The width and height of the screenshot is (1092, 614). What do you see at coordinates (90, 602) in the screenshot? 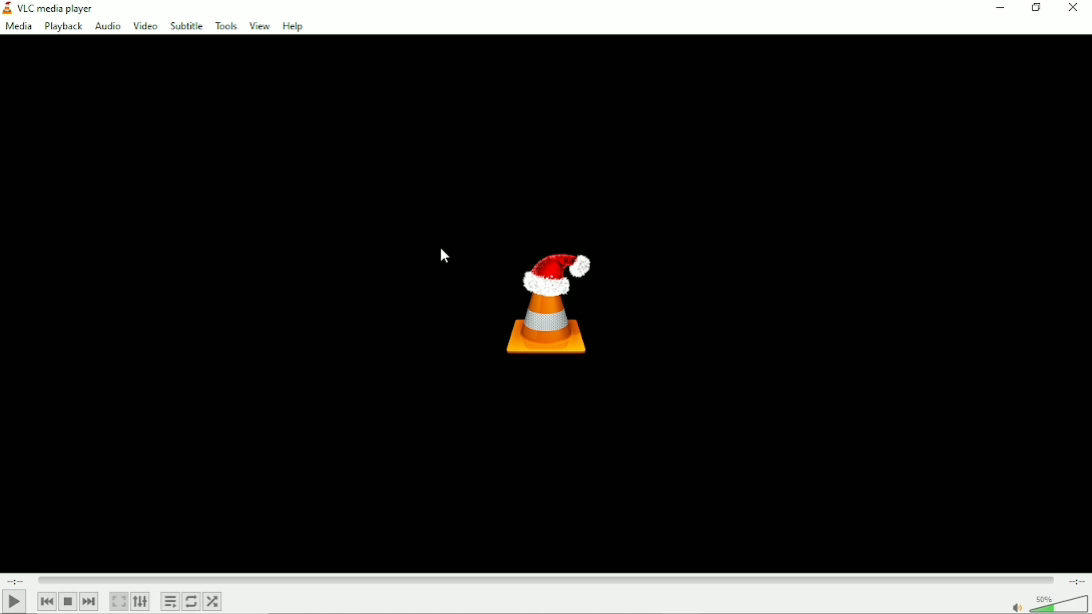
I see `Next` at bounding box center [90, 602].